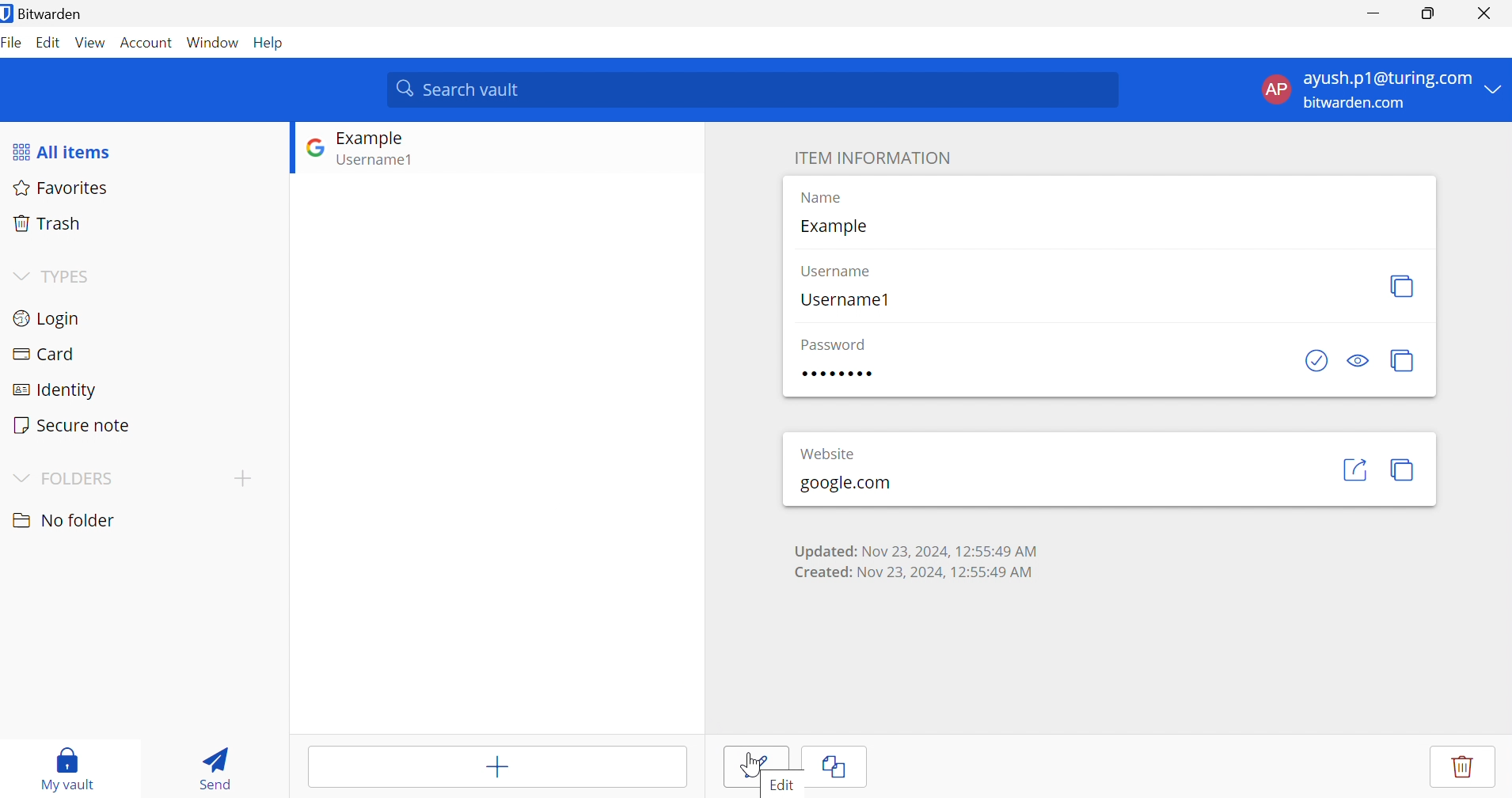  What do you see at coordinates (394, 151) in the screenshot?
I see `GOOGLE LOGIN ENTRY` at bounding box center [394, 151].